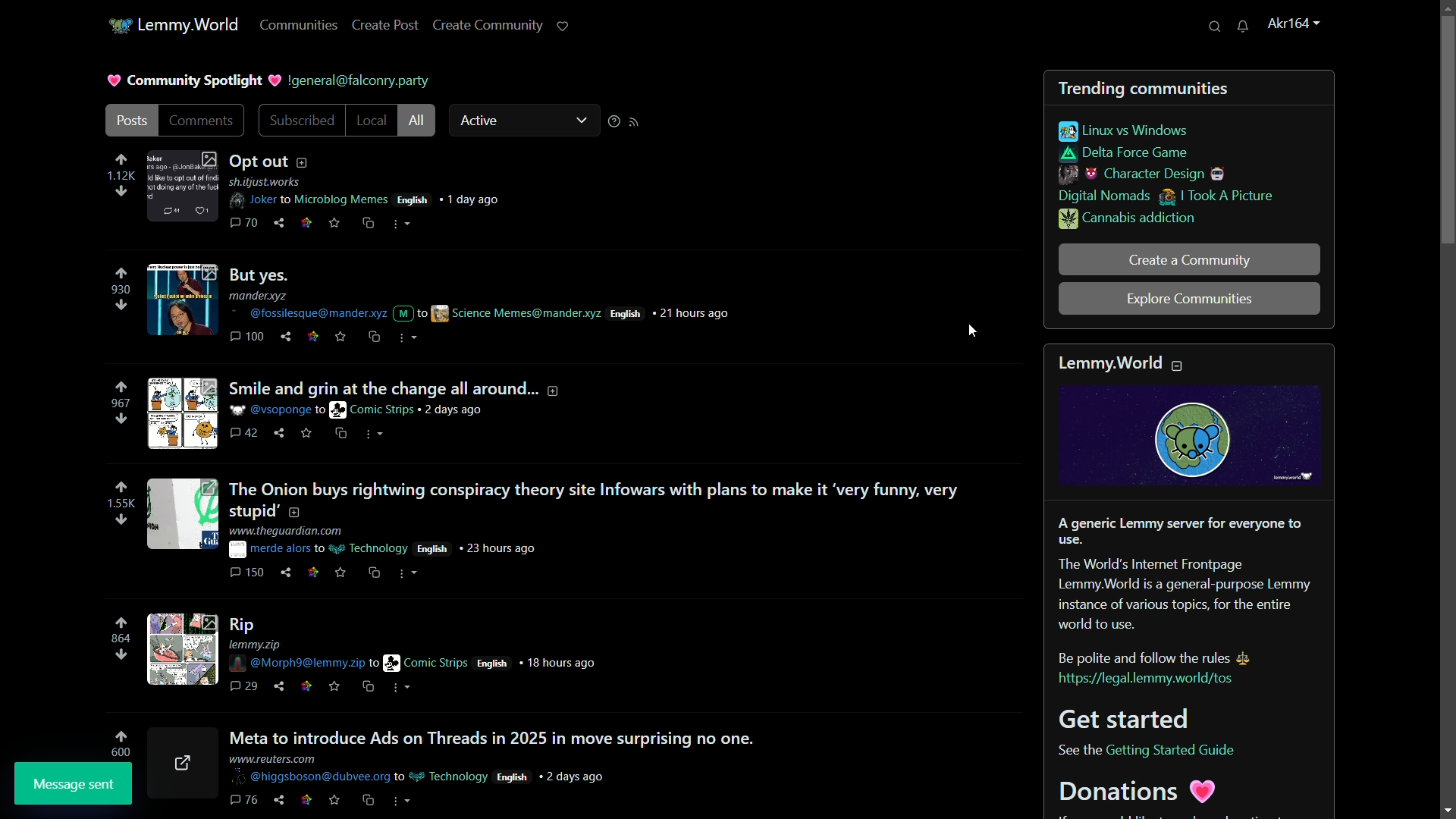  Describe the element at coordinates (246, 571) in the screenshot. I see `comments` at that location.